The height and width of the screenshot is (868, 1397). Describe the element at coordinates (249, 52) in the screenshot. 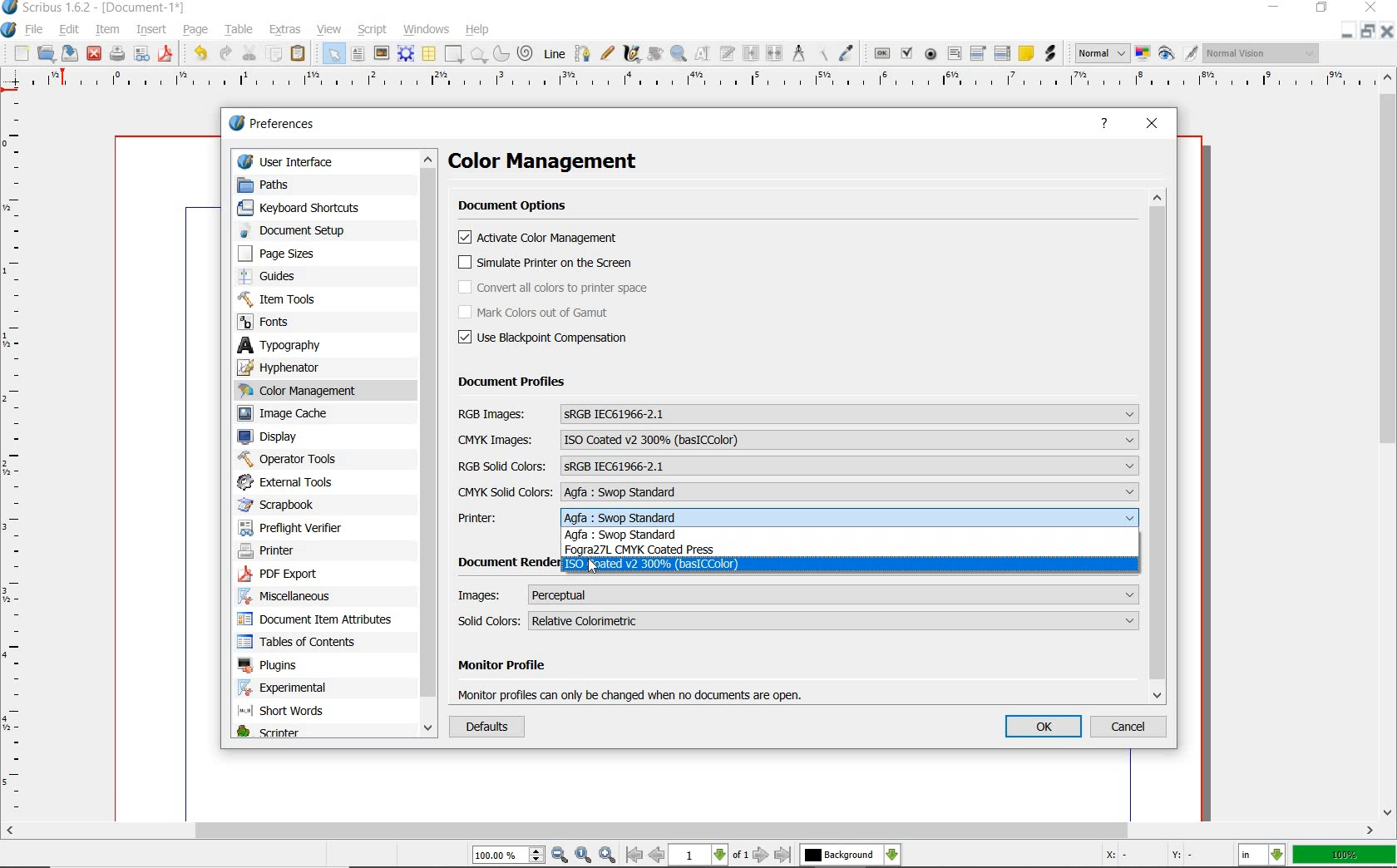

I see `cut` at that location.